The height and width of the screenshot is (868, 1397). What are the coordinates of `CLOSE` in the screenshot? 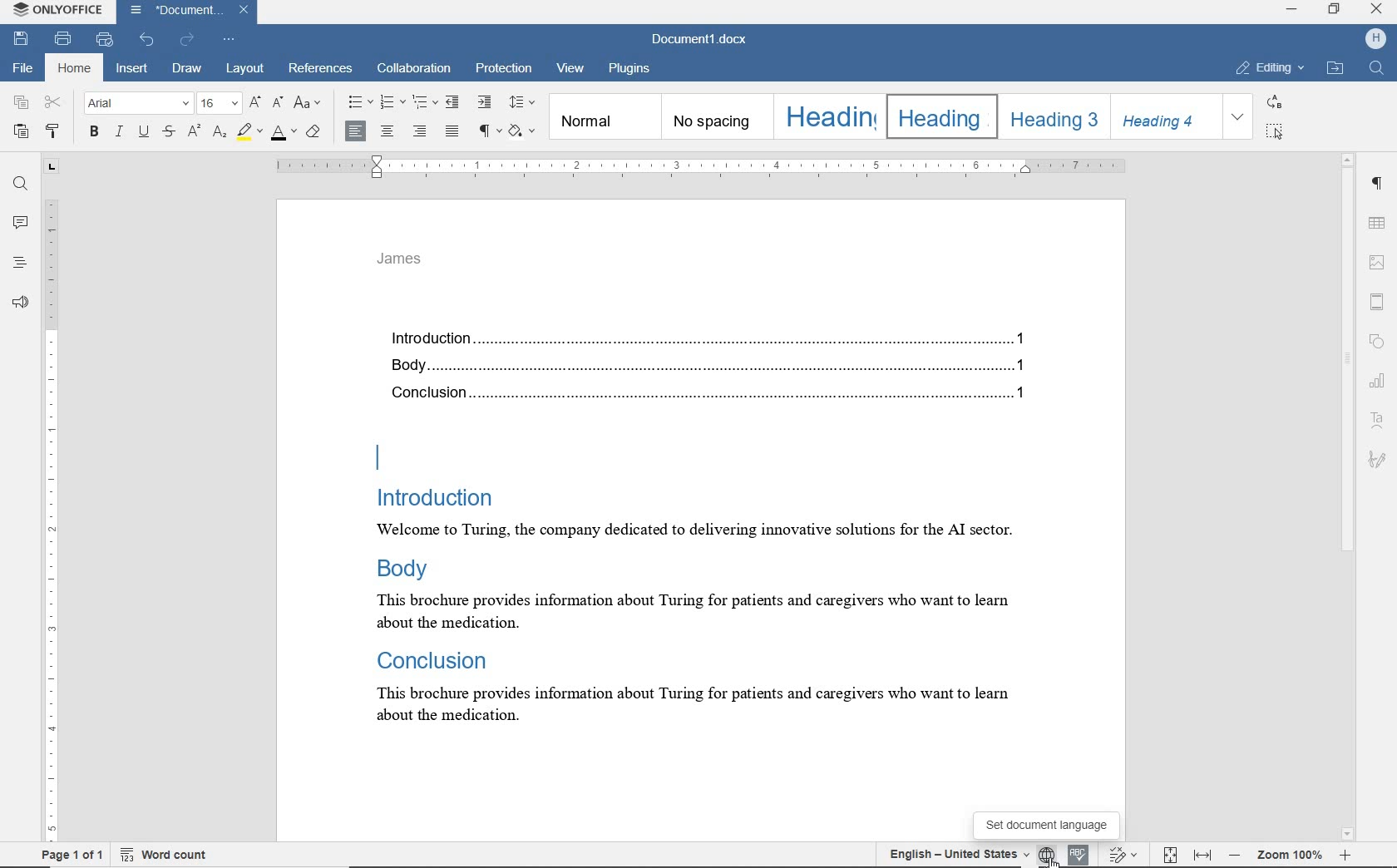 It's located at (1375, 9).